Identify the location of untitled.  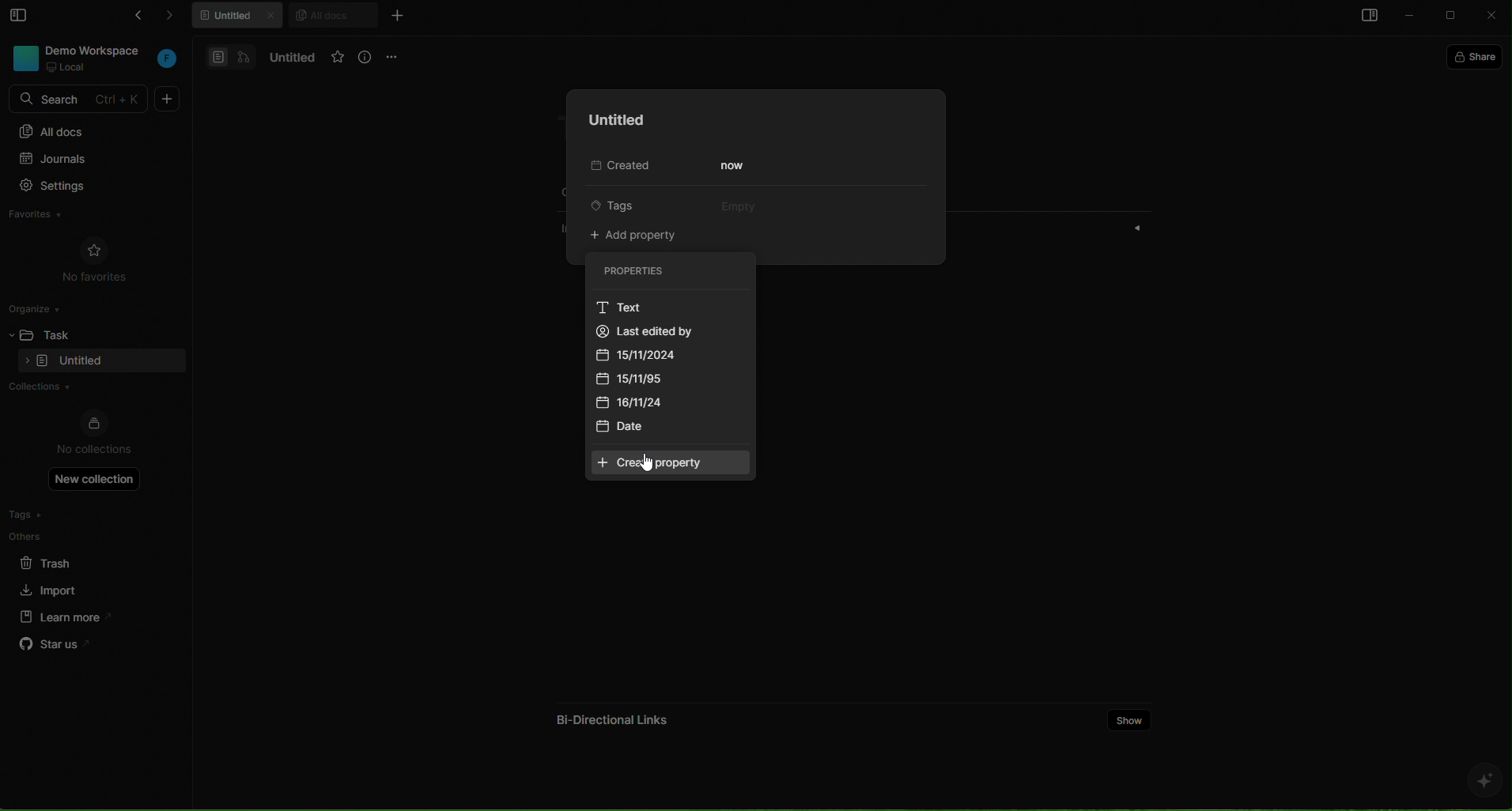
(612, 120).